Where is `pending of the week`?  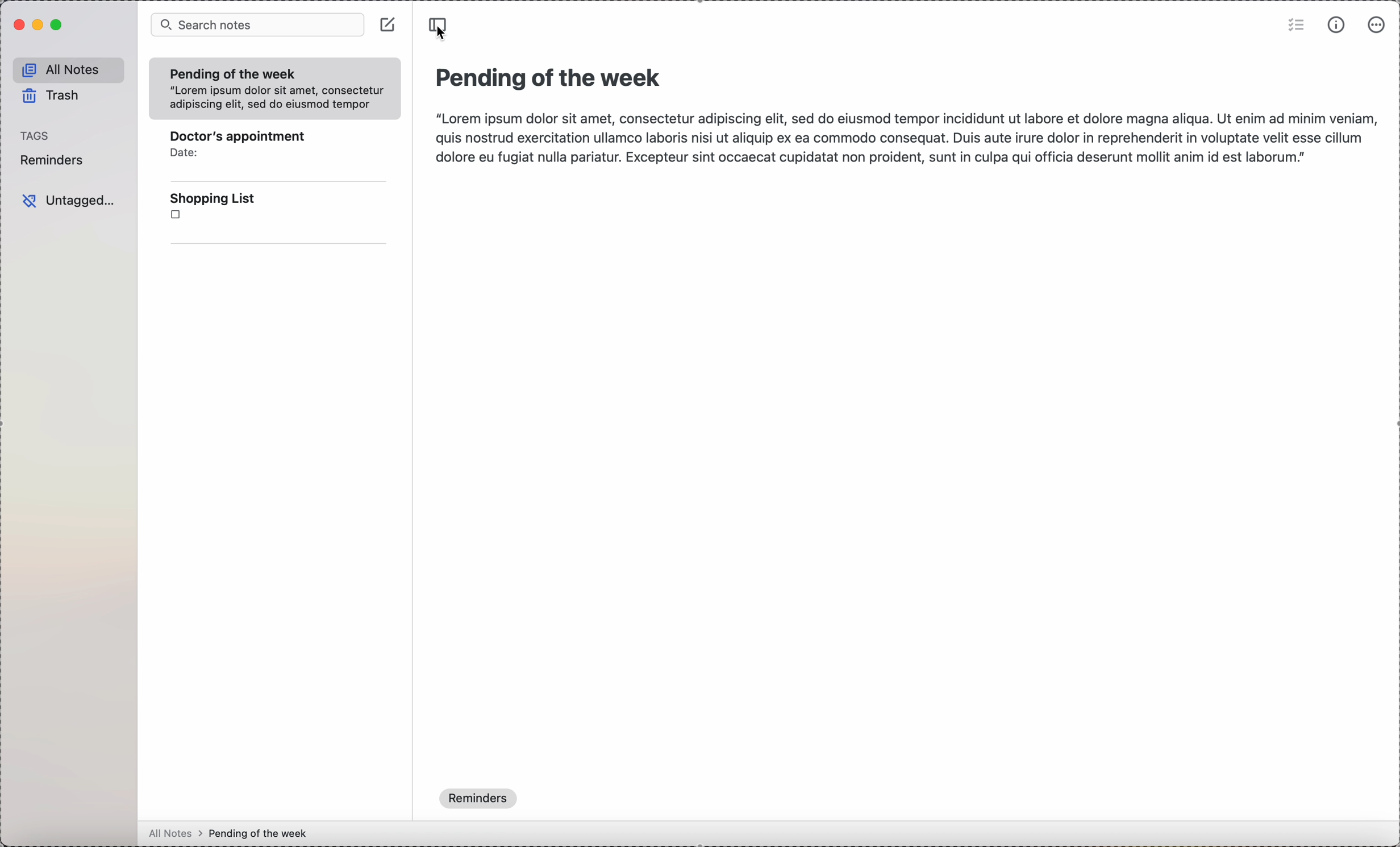
pending of the week is located at coordinates (548, 78).